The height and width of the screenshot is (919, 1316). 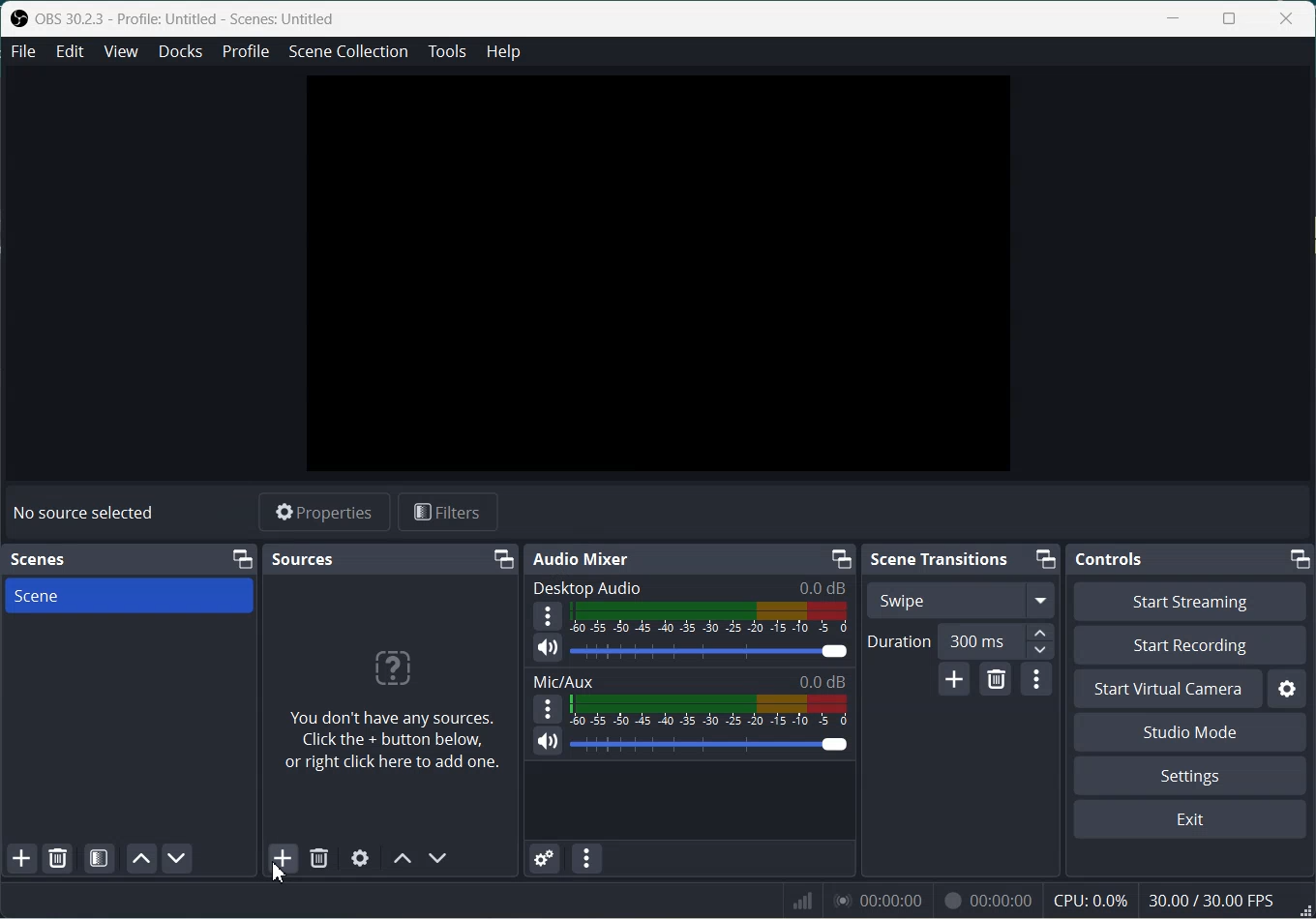 What do you see at coordinates (56, 859) in the screenshot?
I see `Remove selected Scene` at bounding box center [56, 859].